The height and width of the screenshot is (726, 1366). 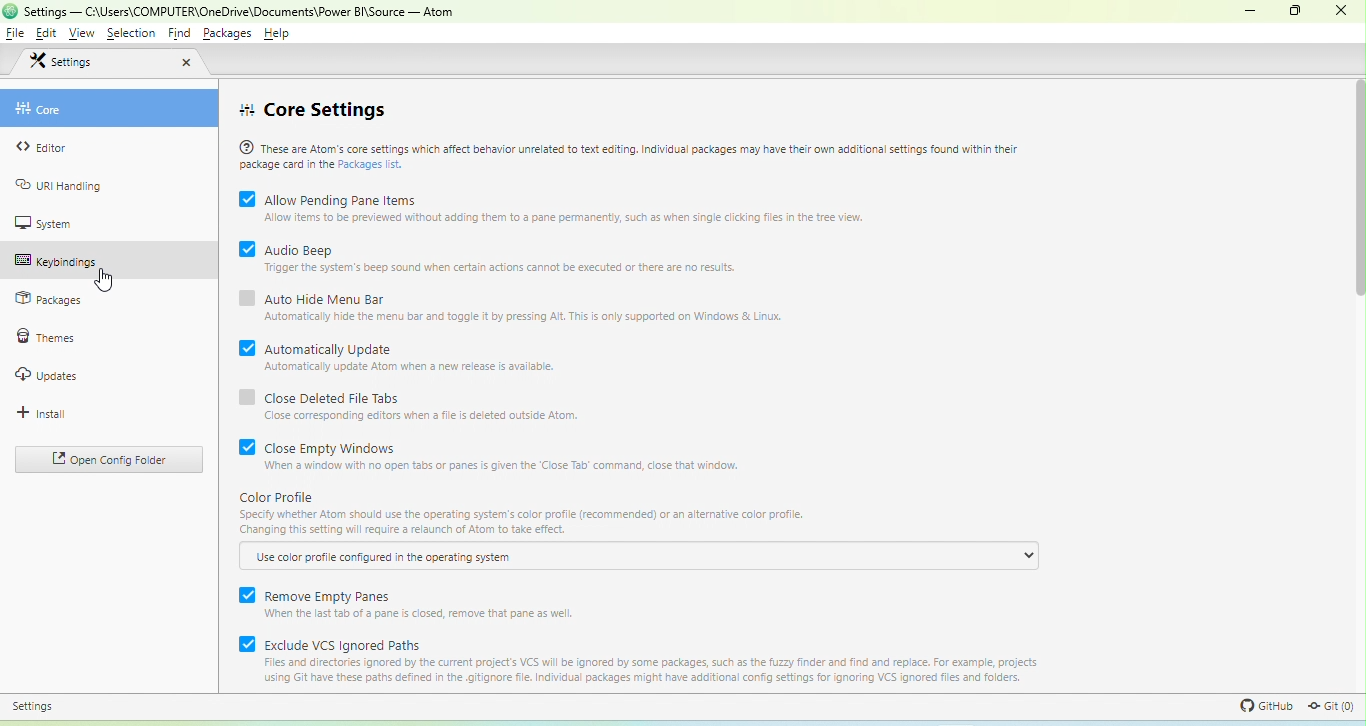 I want to click on uri handling, so click(x=60, y=184).